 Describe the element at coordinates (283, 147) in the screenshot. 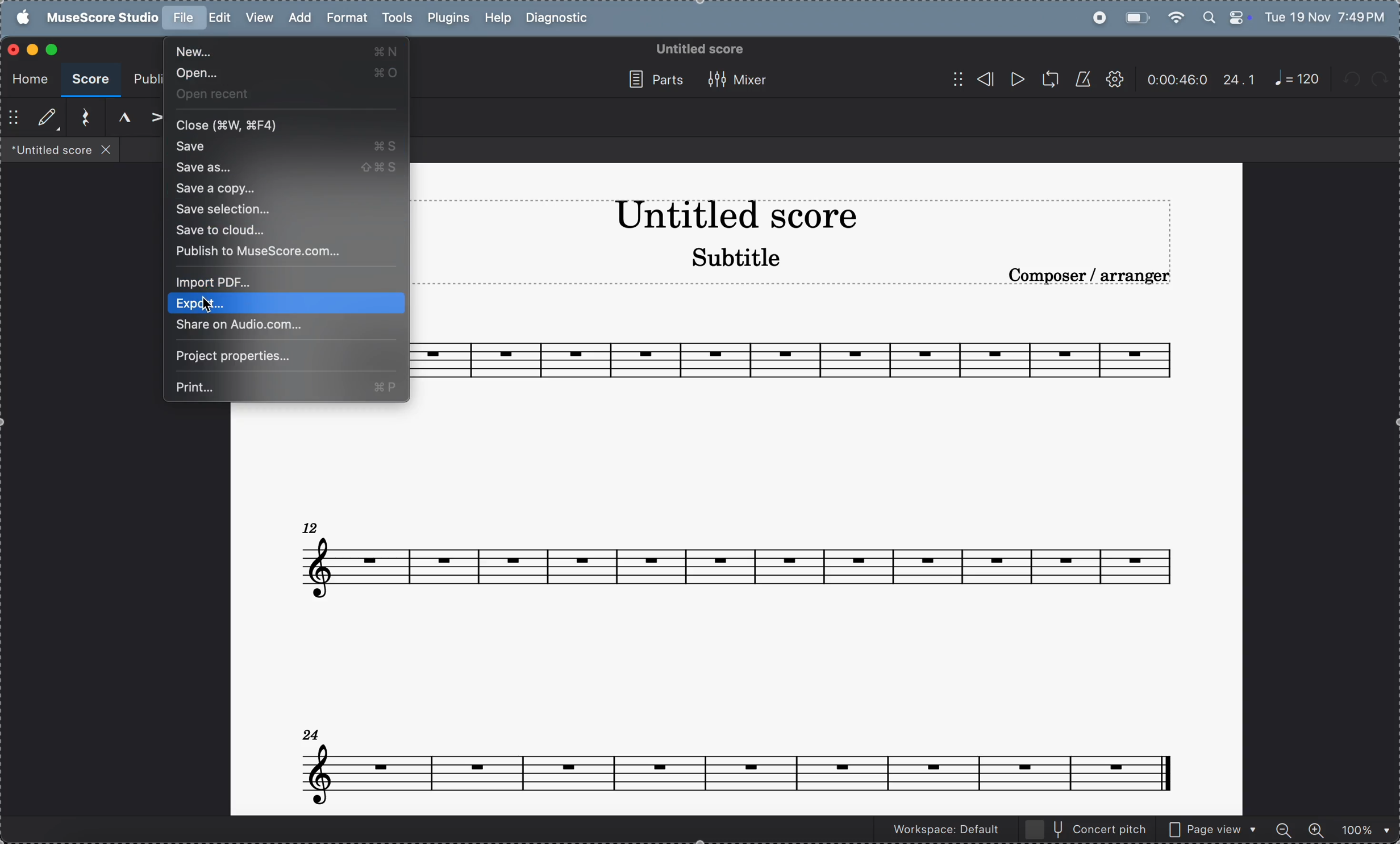

I see `save` at that location.